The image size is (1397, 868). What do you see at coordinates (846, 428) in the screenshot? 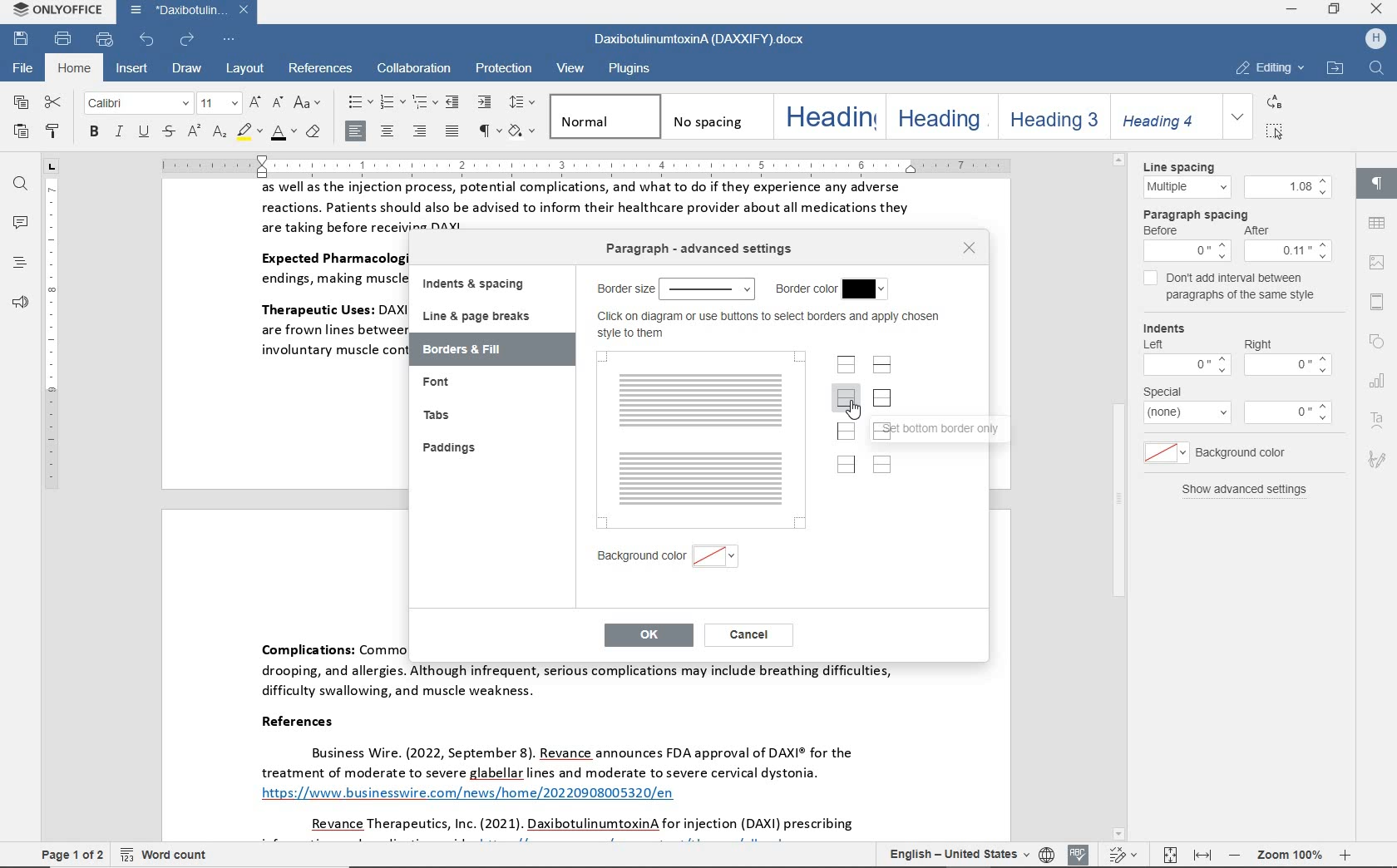
I see `set left border only` at bounding box center [846, 428].